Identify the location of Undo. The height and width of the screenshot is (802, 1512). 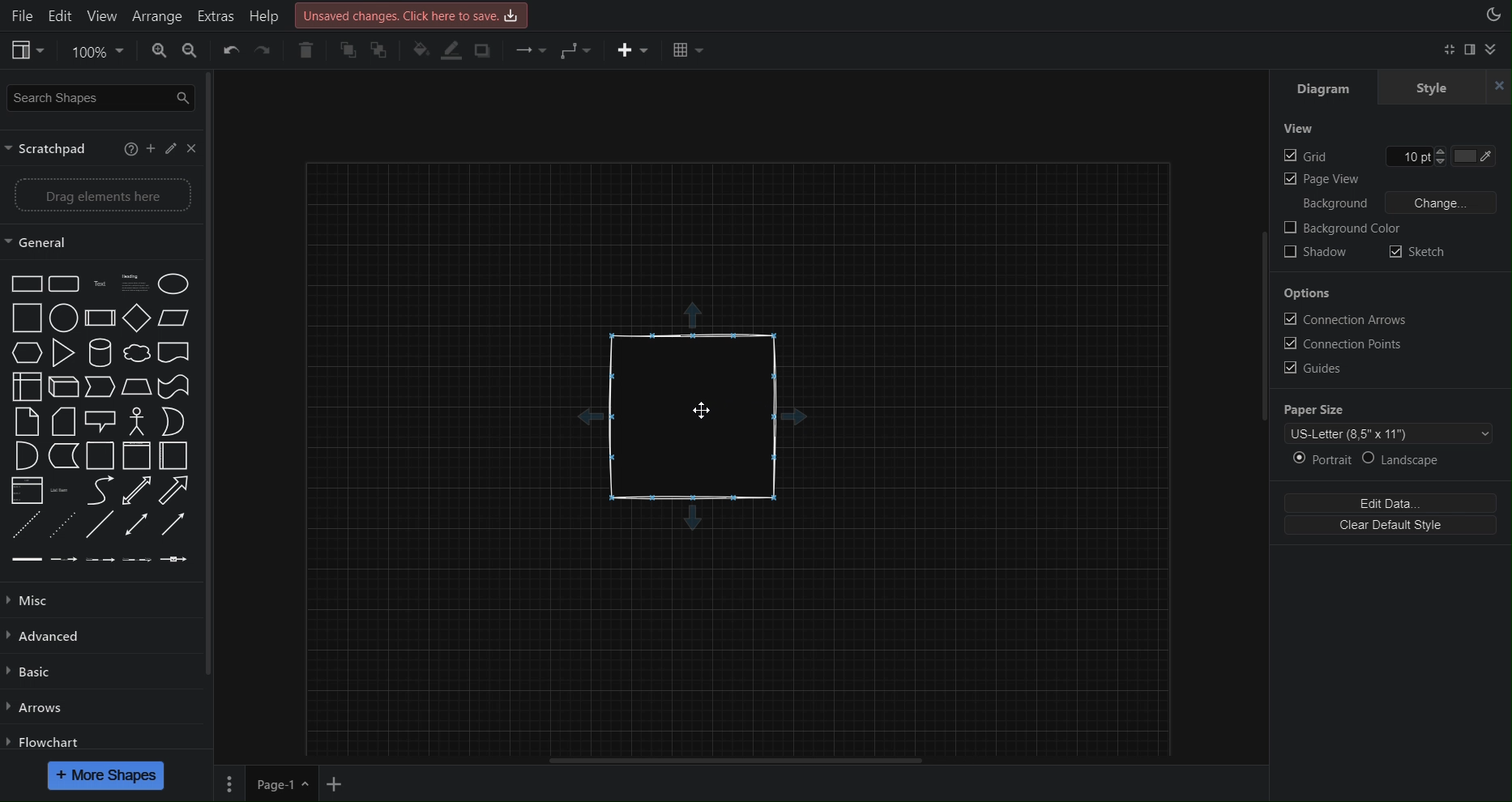
(234, 53).